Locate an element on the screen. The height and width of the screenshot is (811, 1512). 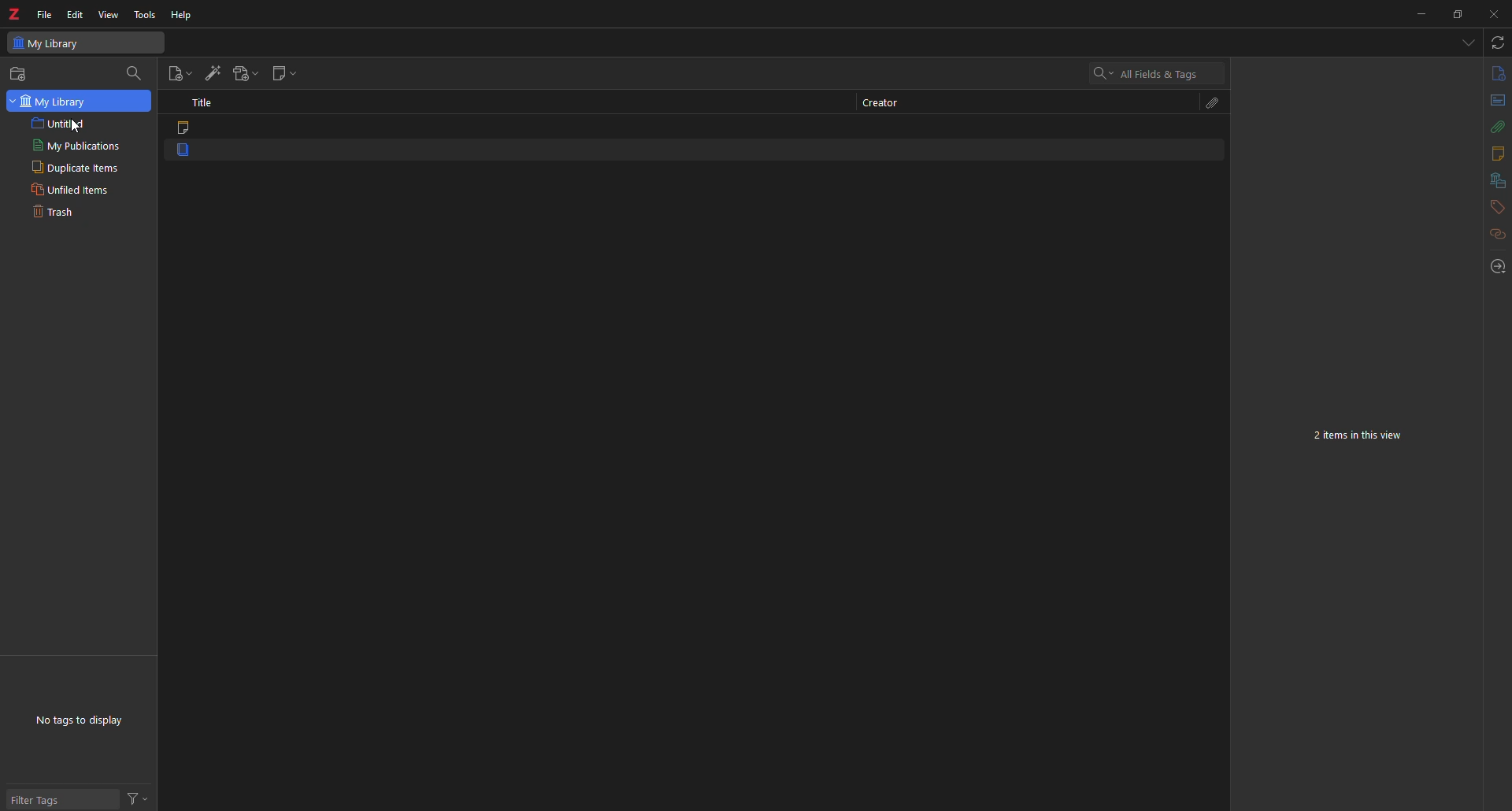
new item is located at coordinates (177, 74).